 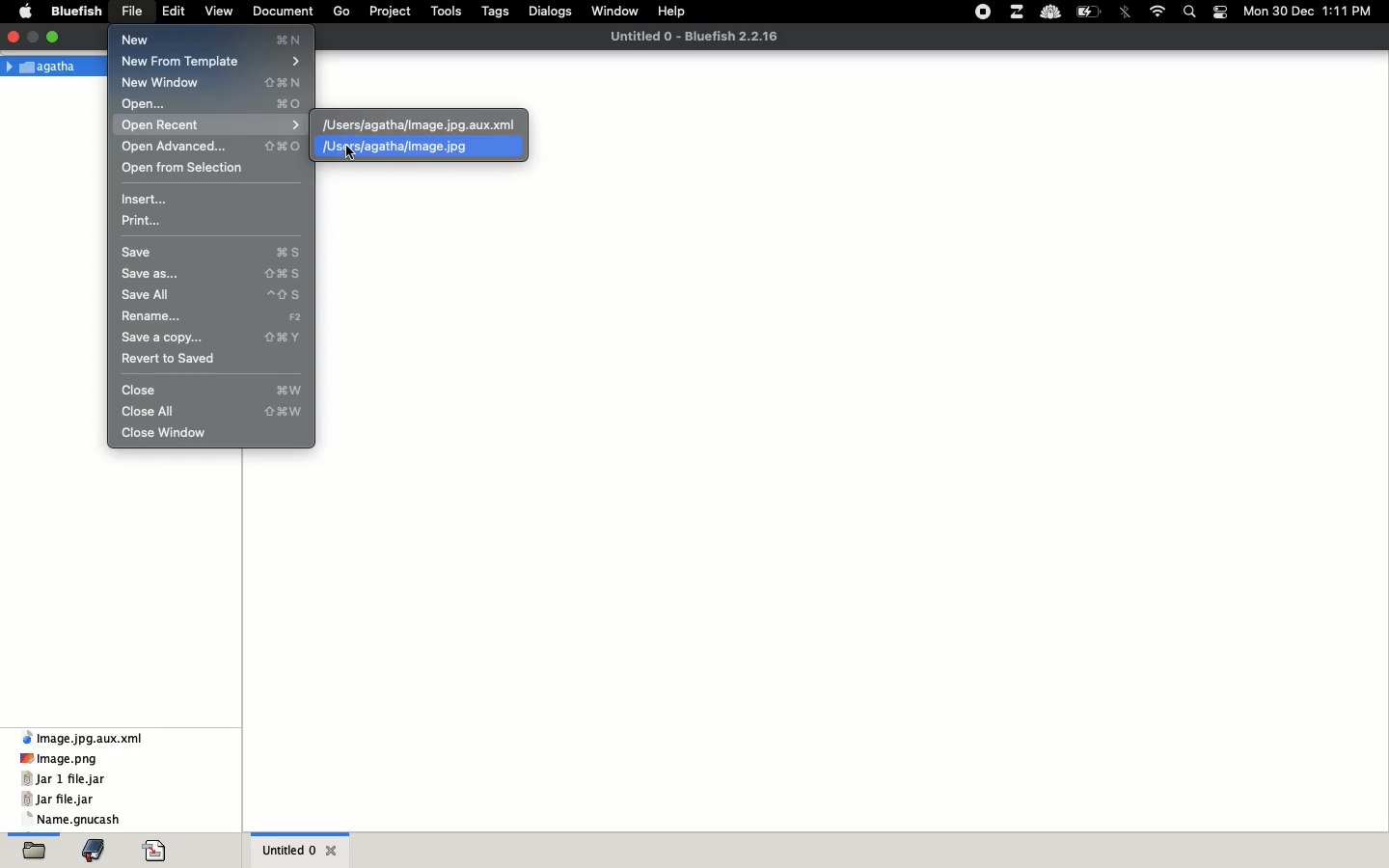 What do you see at coordinates (213, 146) in the screenshot?
I see `open advanced  command O` at bounding box center [213, 146].